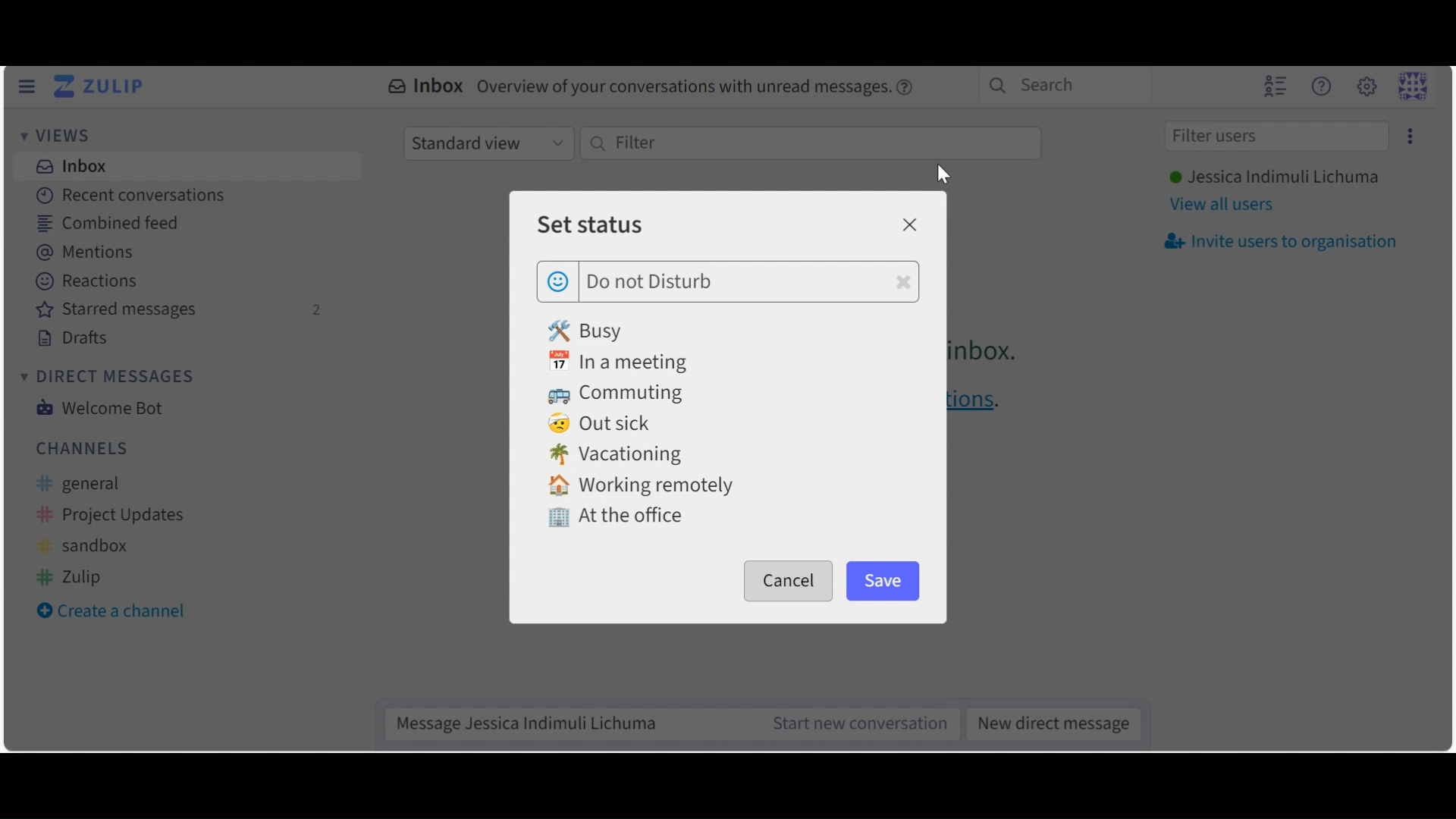 The width and height of the screenshot is (1456, 819). What do you see at coordinates (617, 456) in the screenshot?
I see `Vacationing` at bounding box center [617, 456].